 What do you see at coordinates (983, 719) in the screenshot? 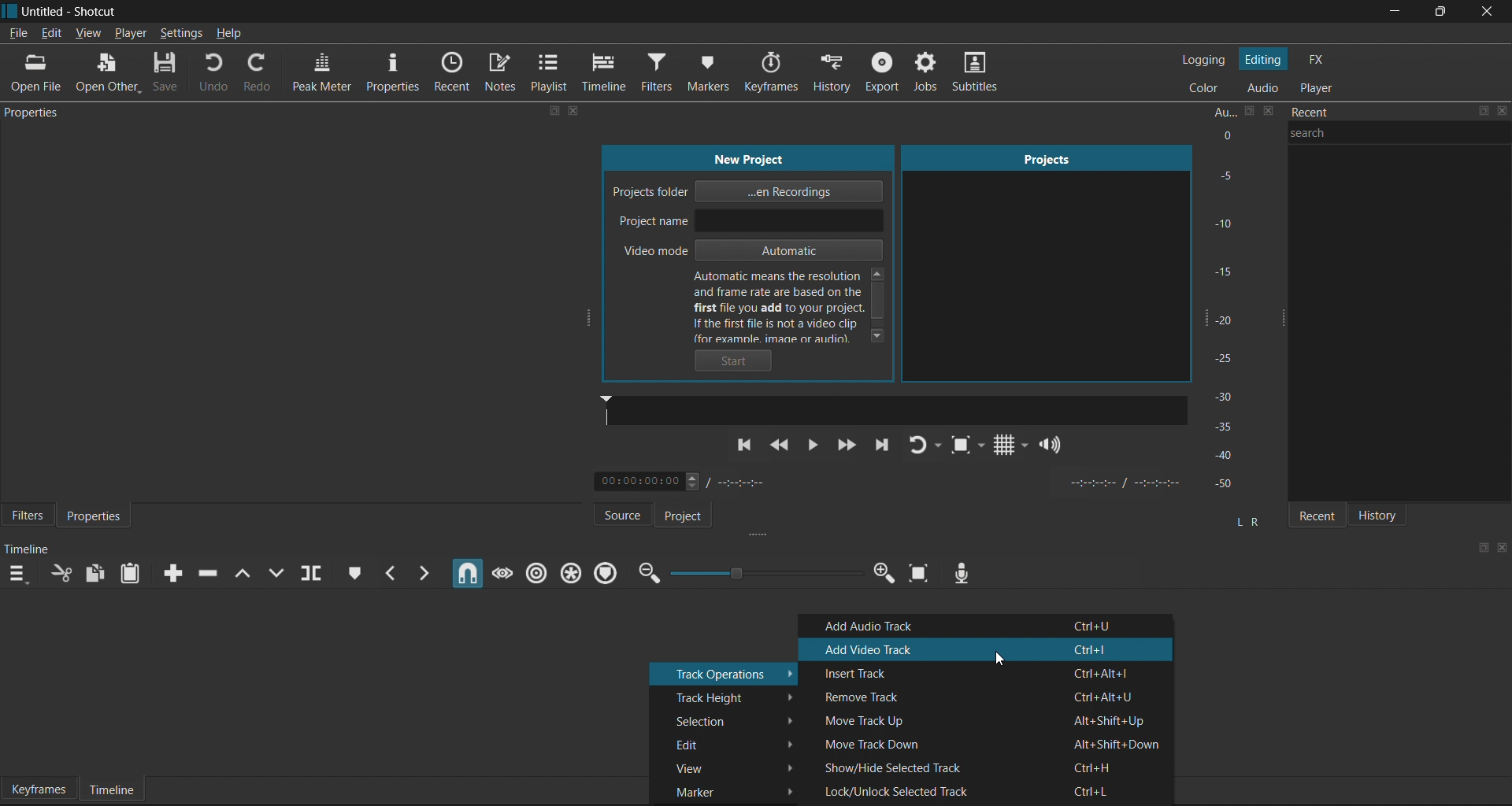
I see `Move Track Up` at bounding box center [983, 719].